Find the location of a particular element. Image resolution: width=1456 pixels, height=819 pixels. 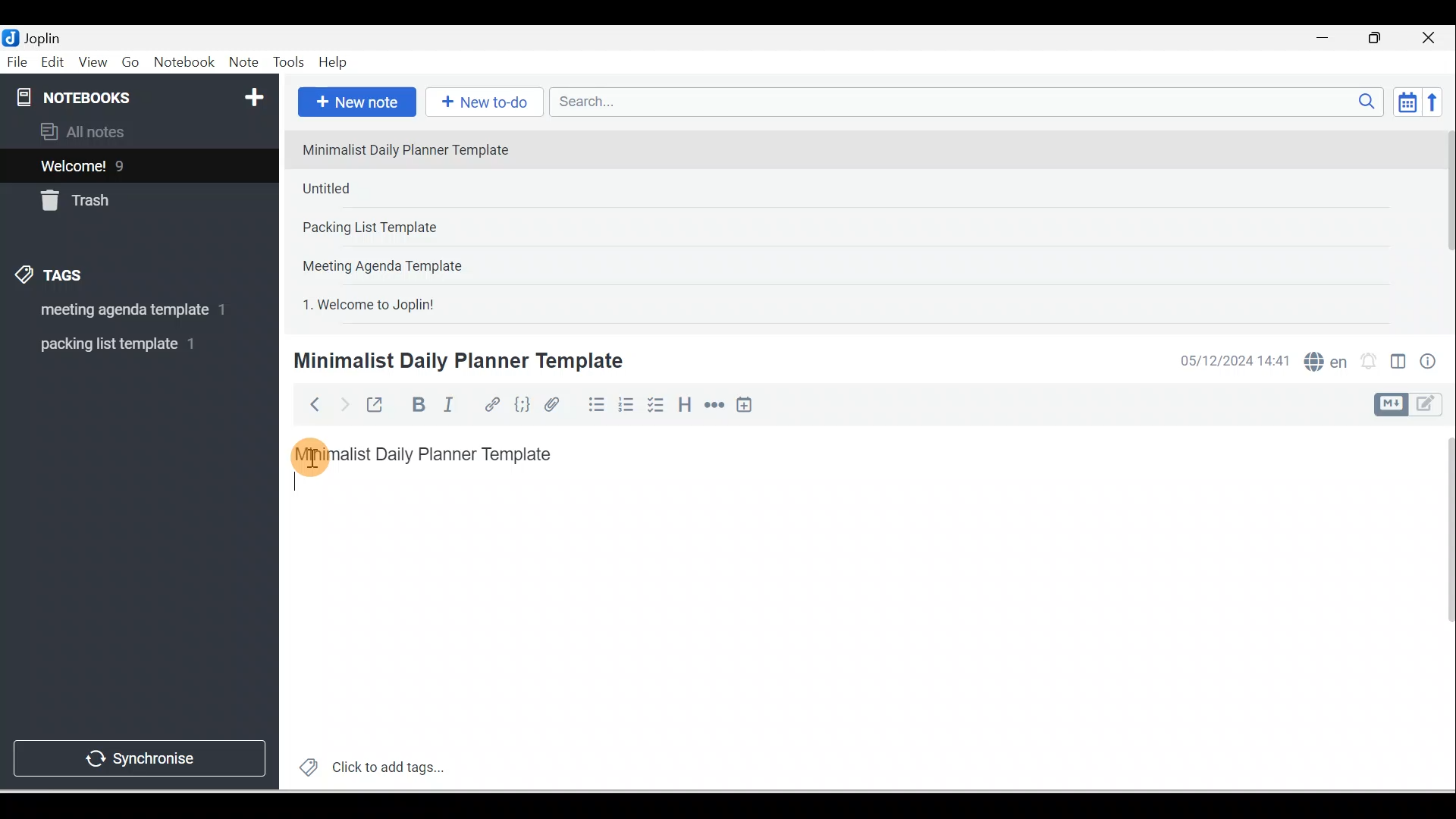

Numbered list is located at coordinates (626, 404).